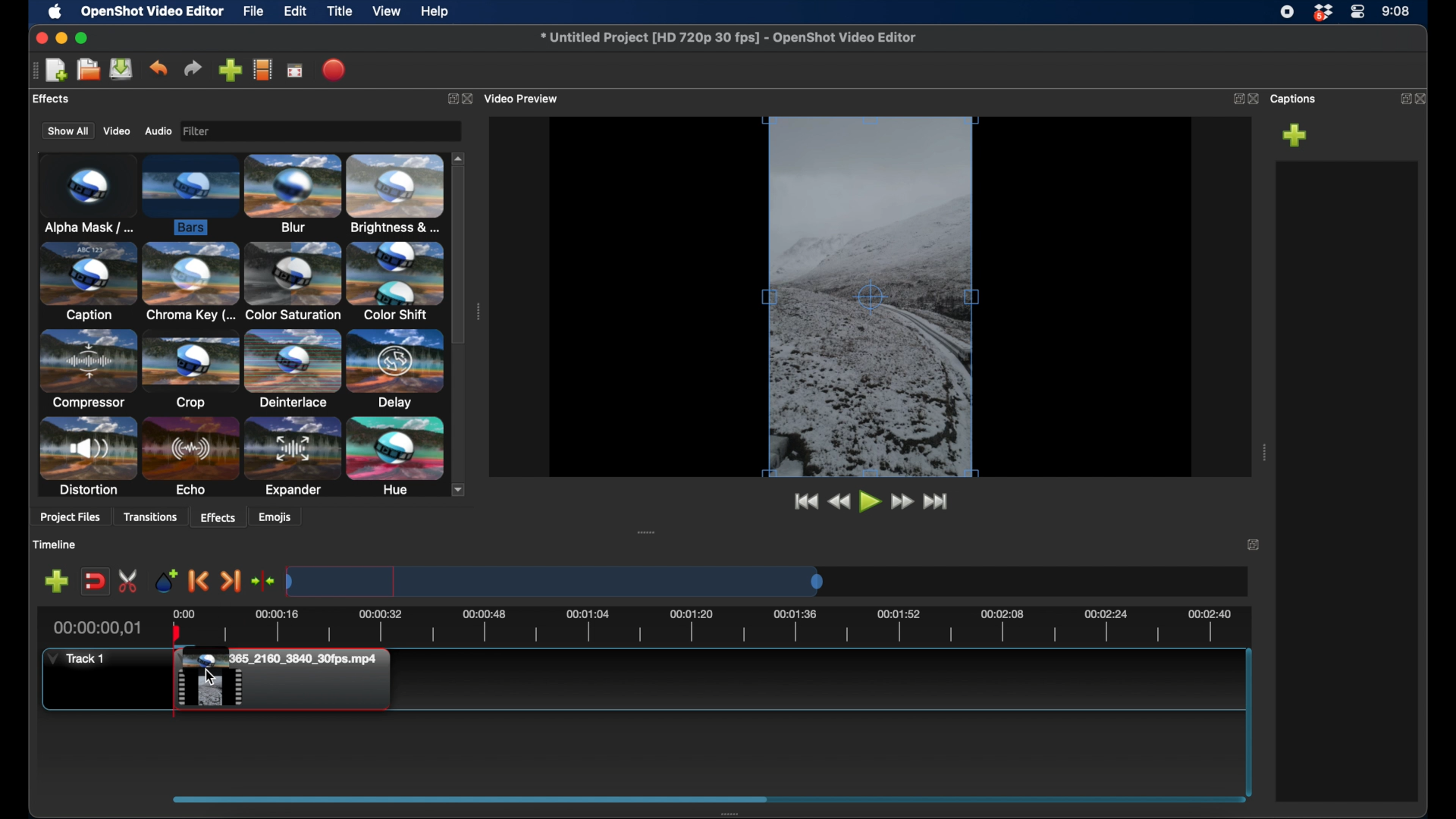 The height and width of the screenshot is (819, 1456). I want to click on maximize, so click(83, 38).